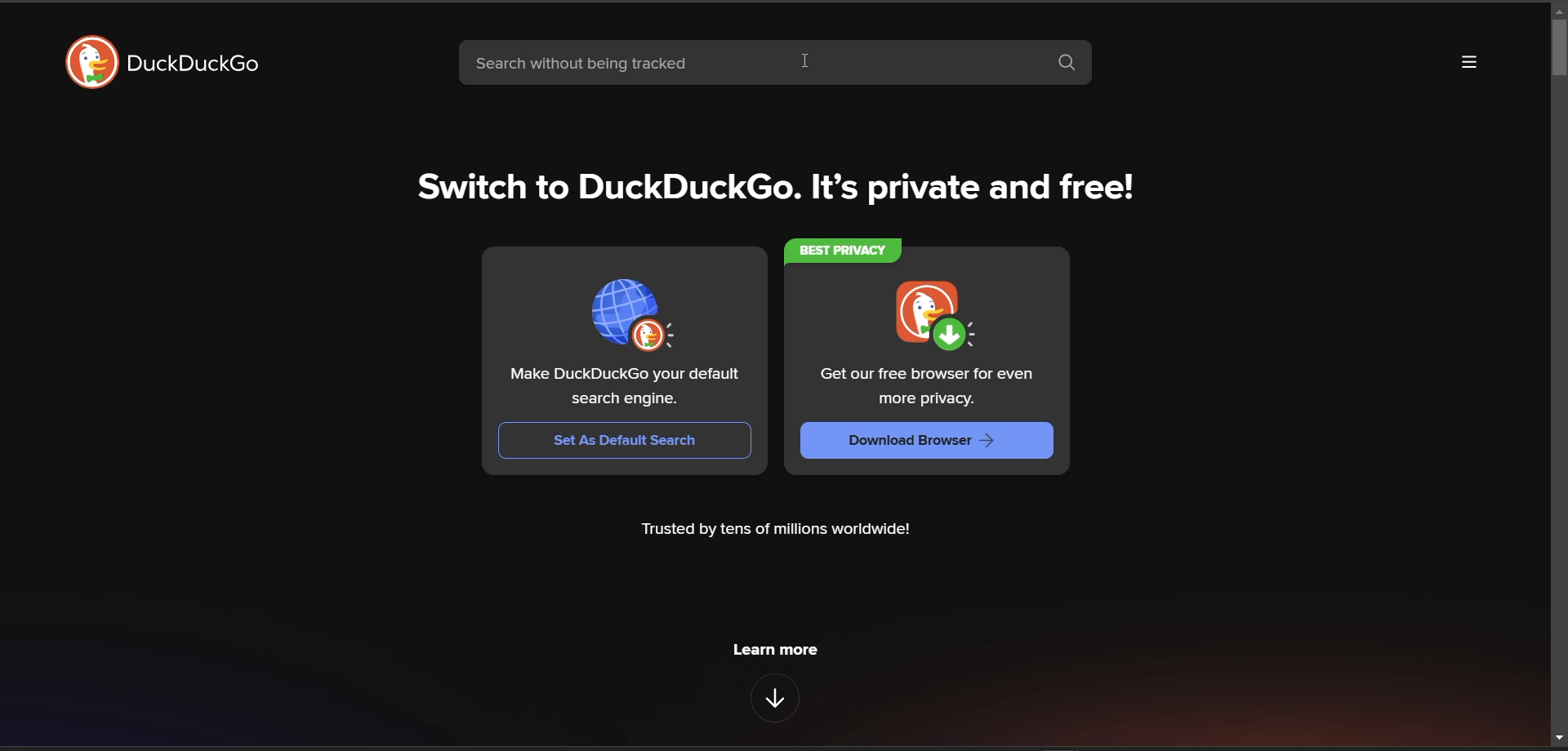  Describe the element at coordinates (88, 63) in the screenshot. I see `logo` at that location.